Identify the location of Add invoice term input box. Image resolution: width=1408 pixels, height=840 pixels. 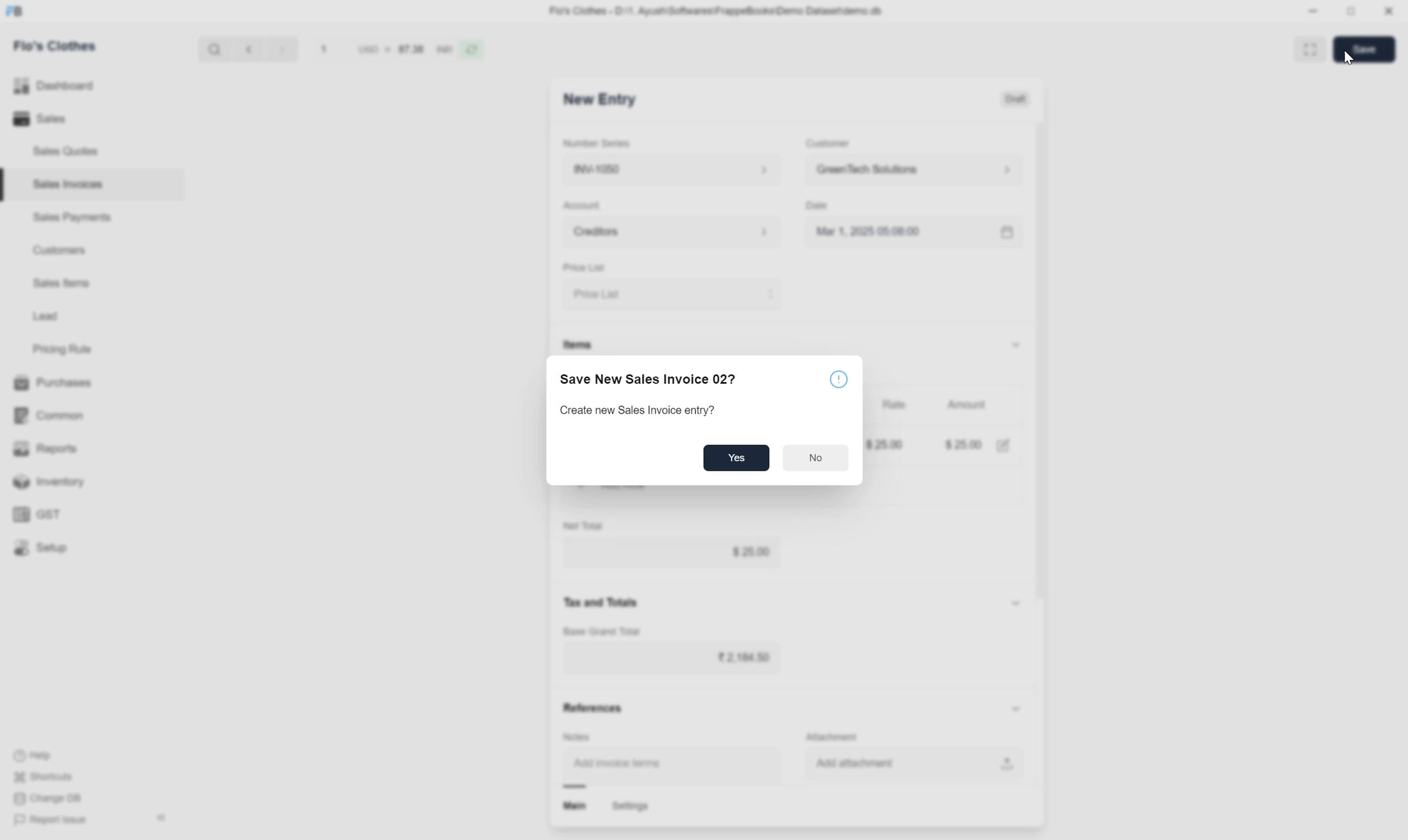
(658, 762).